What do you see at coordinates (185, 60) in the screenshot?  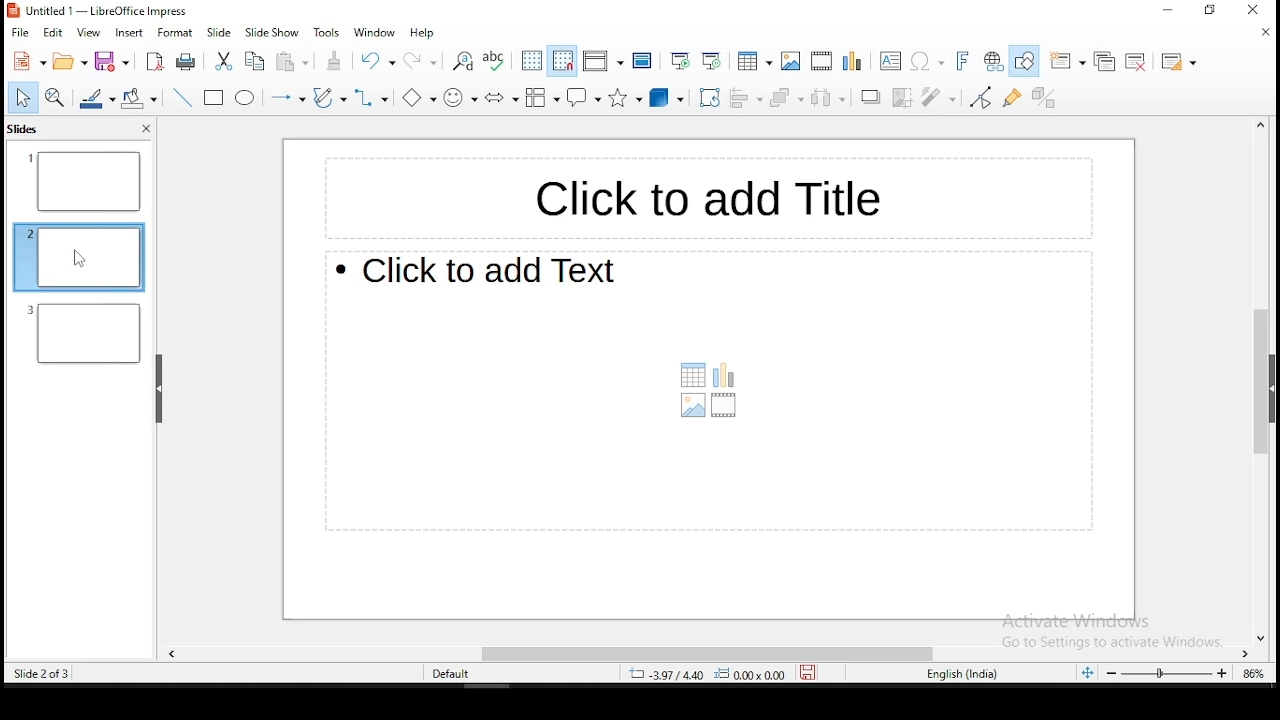 I see `print` at bounding box center [185, 60].